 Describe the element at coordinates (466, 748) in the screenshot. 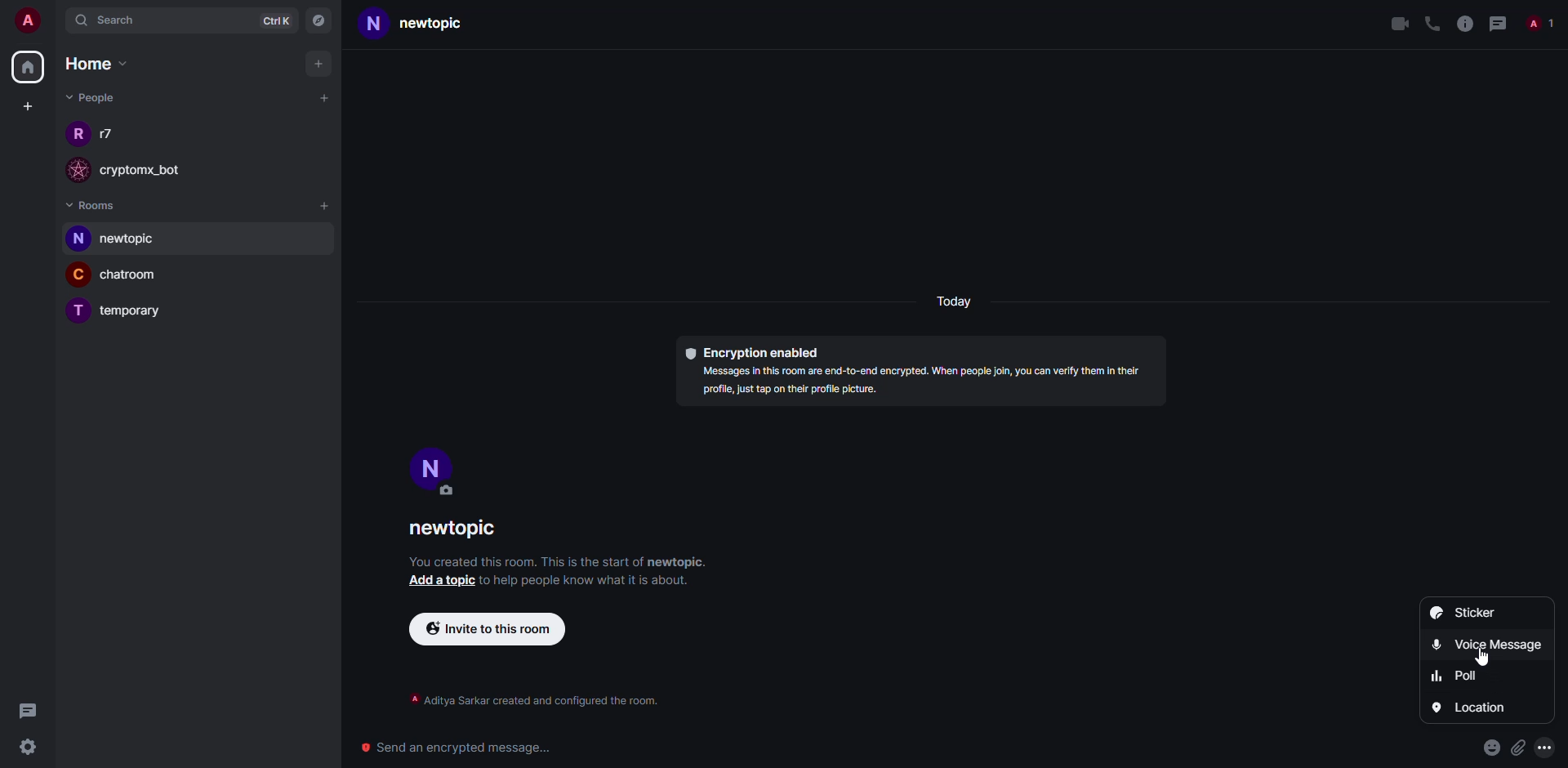

I see `Send an encrypted message...` at that location.